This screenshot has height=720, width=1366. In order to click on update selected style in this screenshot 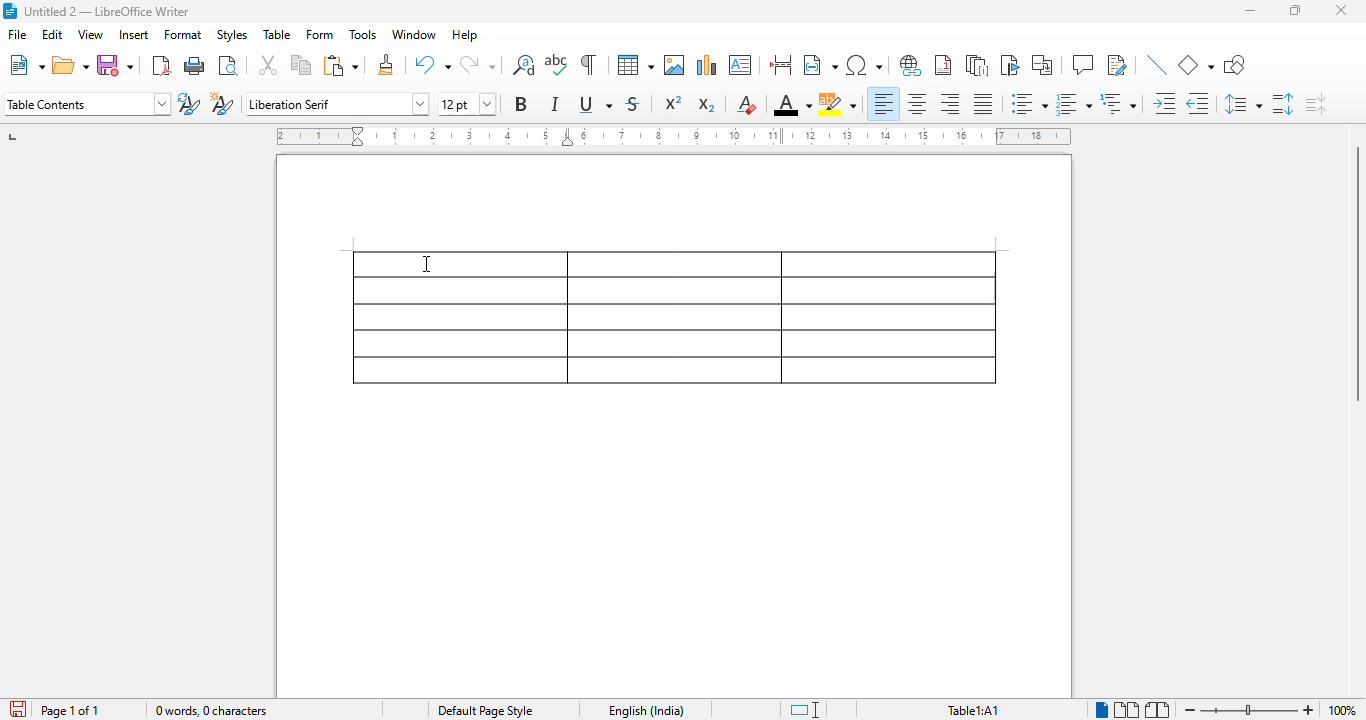, I will do `click(188, 103)`.